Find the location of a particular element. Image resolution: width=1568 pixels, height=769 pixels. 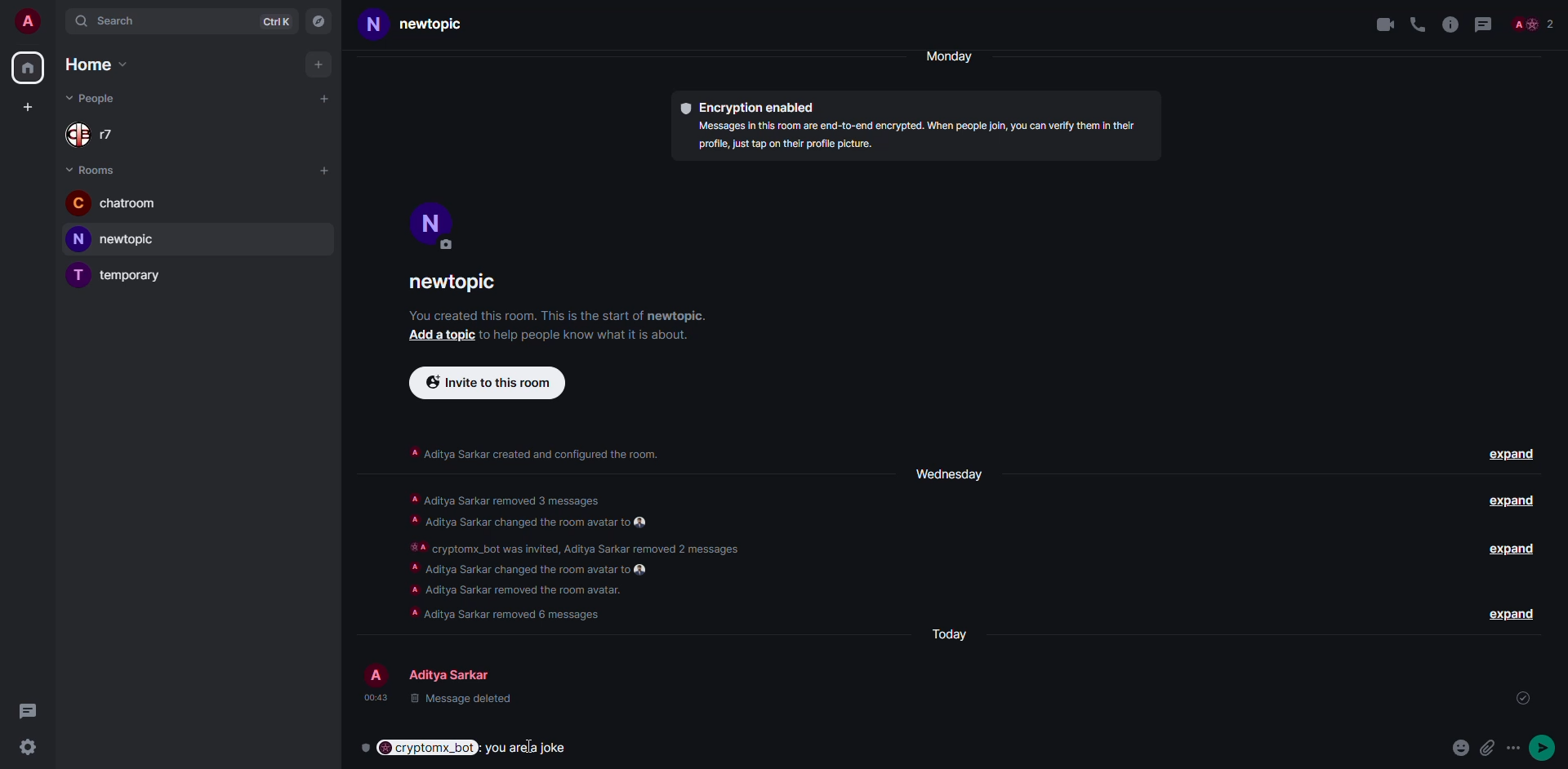

ctrlK is located at coordinates (275, 21).